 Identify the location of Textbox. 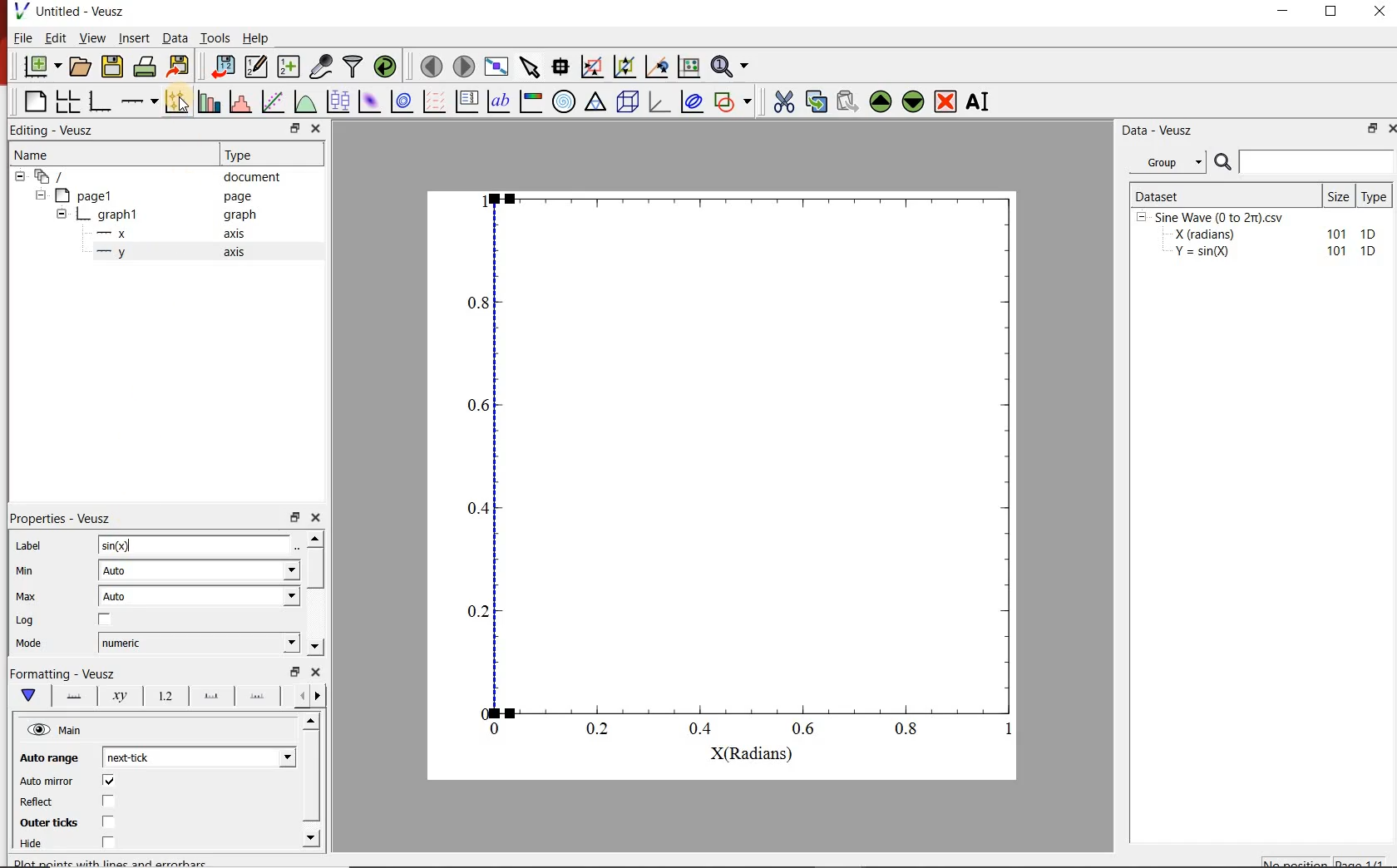
(195, 545).